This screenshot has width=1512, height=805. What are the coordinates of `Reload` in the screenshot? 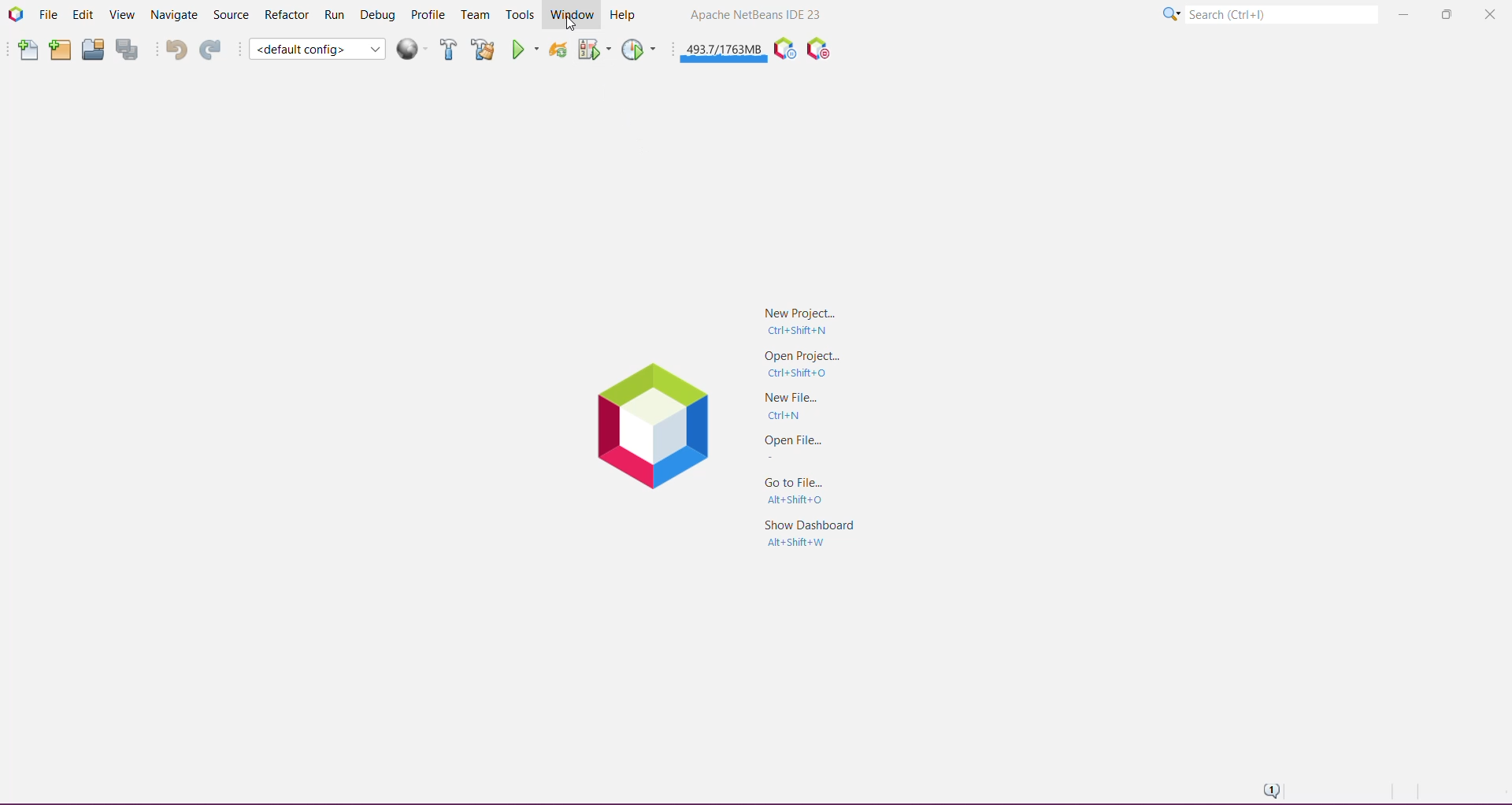 It's located at (558, 49).